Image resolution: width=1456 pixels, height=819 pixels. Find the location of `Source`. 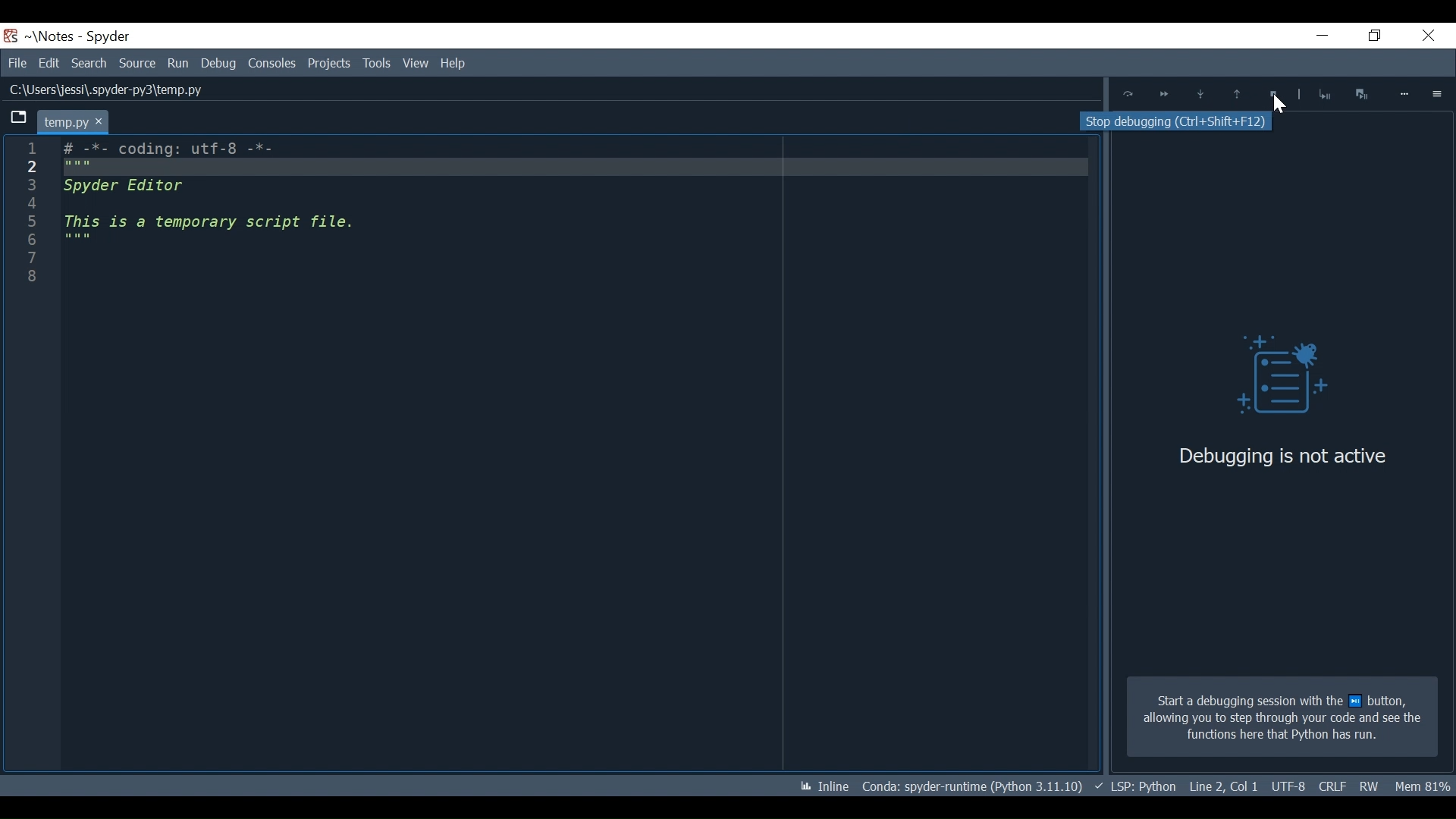

Source is located at coordinates (138, 64).